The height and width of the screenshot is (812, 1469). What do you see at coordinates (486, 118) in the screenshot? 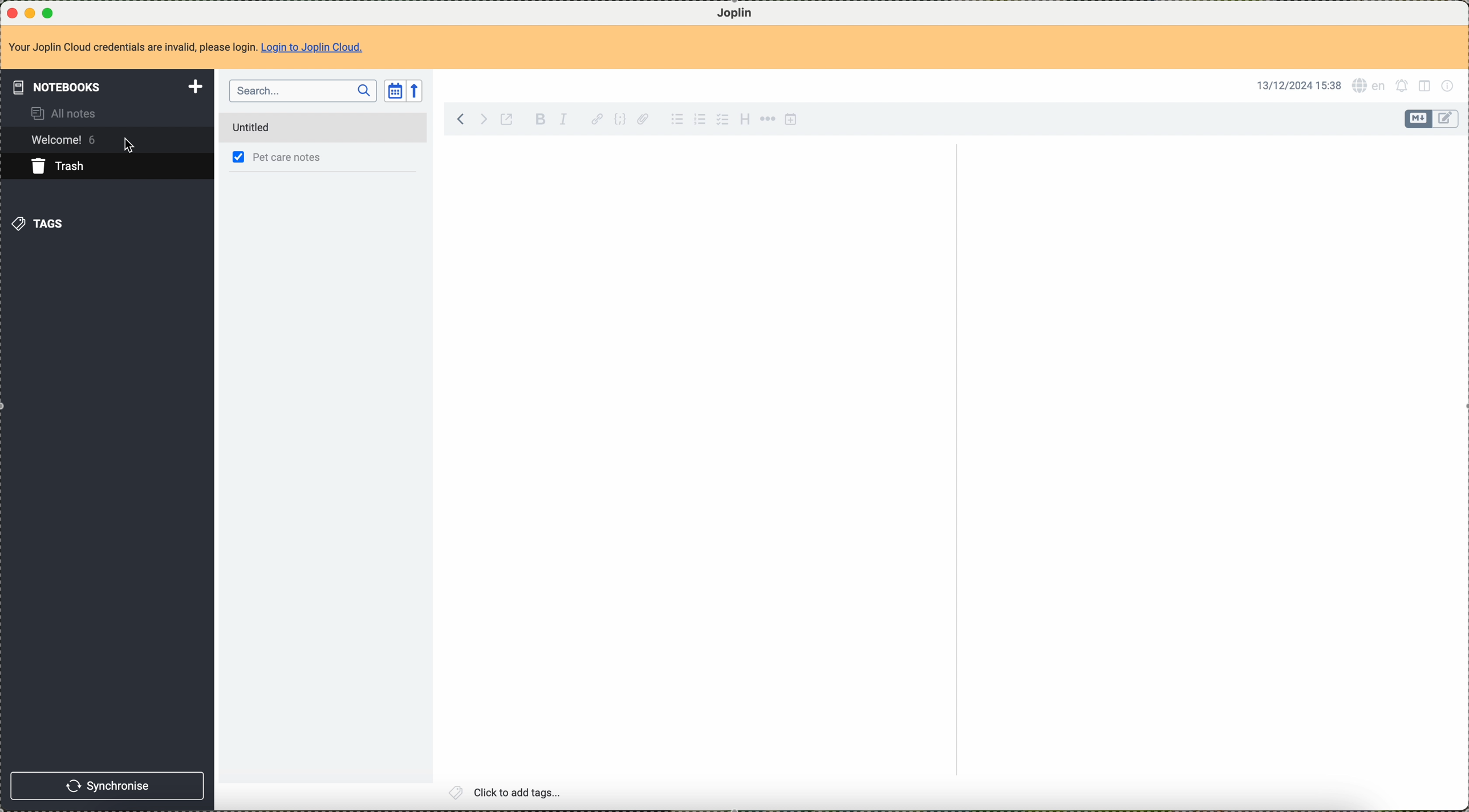
I see `foward` at bounding box center [486, 118].